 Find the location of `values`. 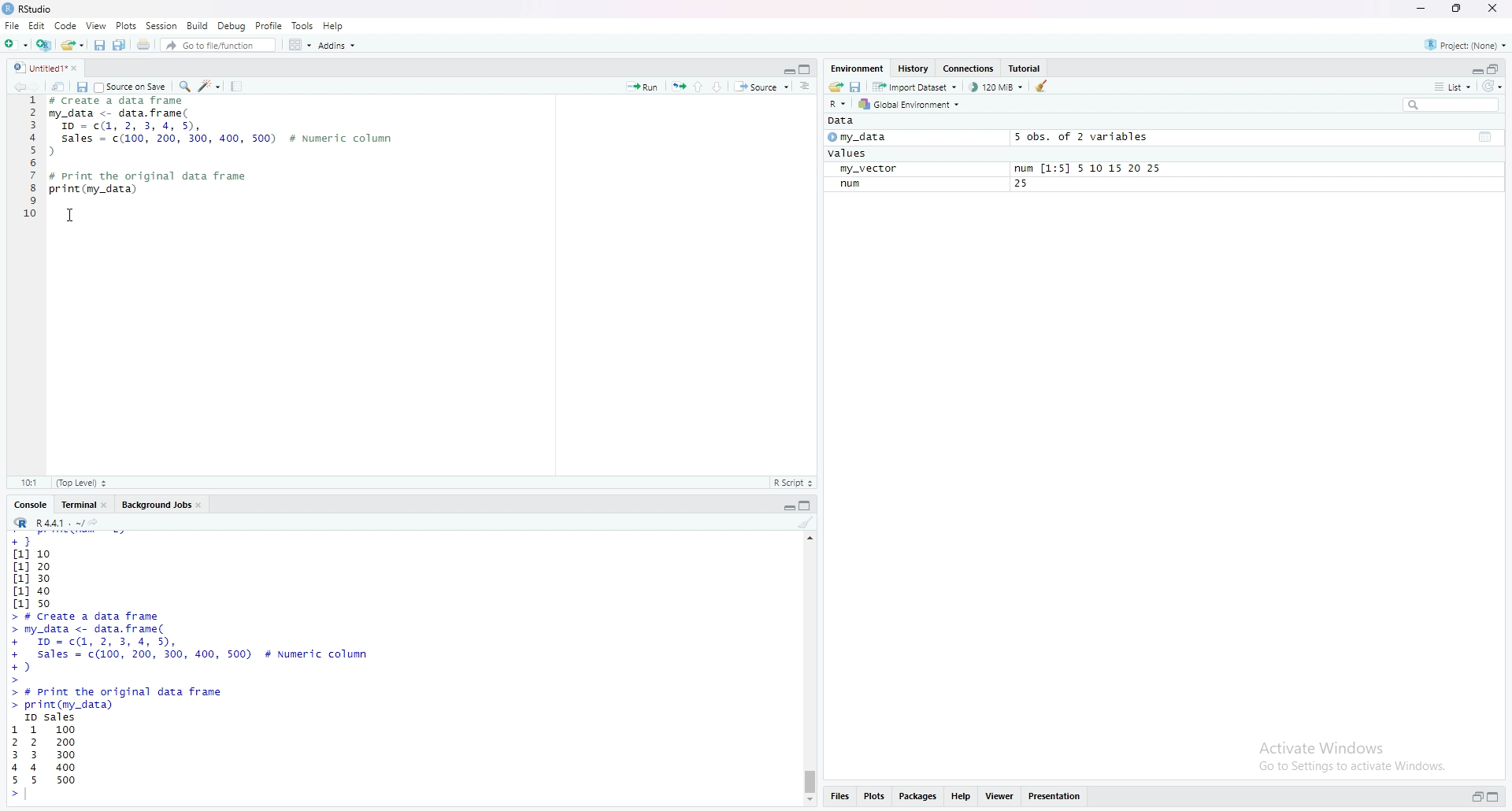

values is located at coordinates (847, 154).